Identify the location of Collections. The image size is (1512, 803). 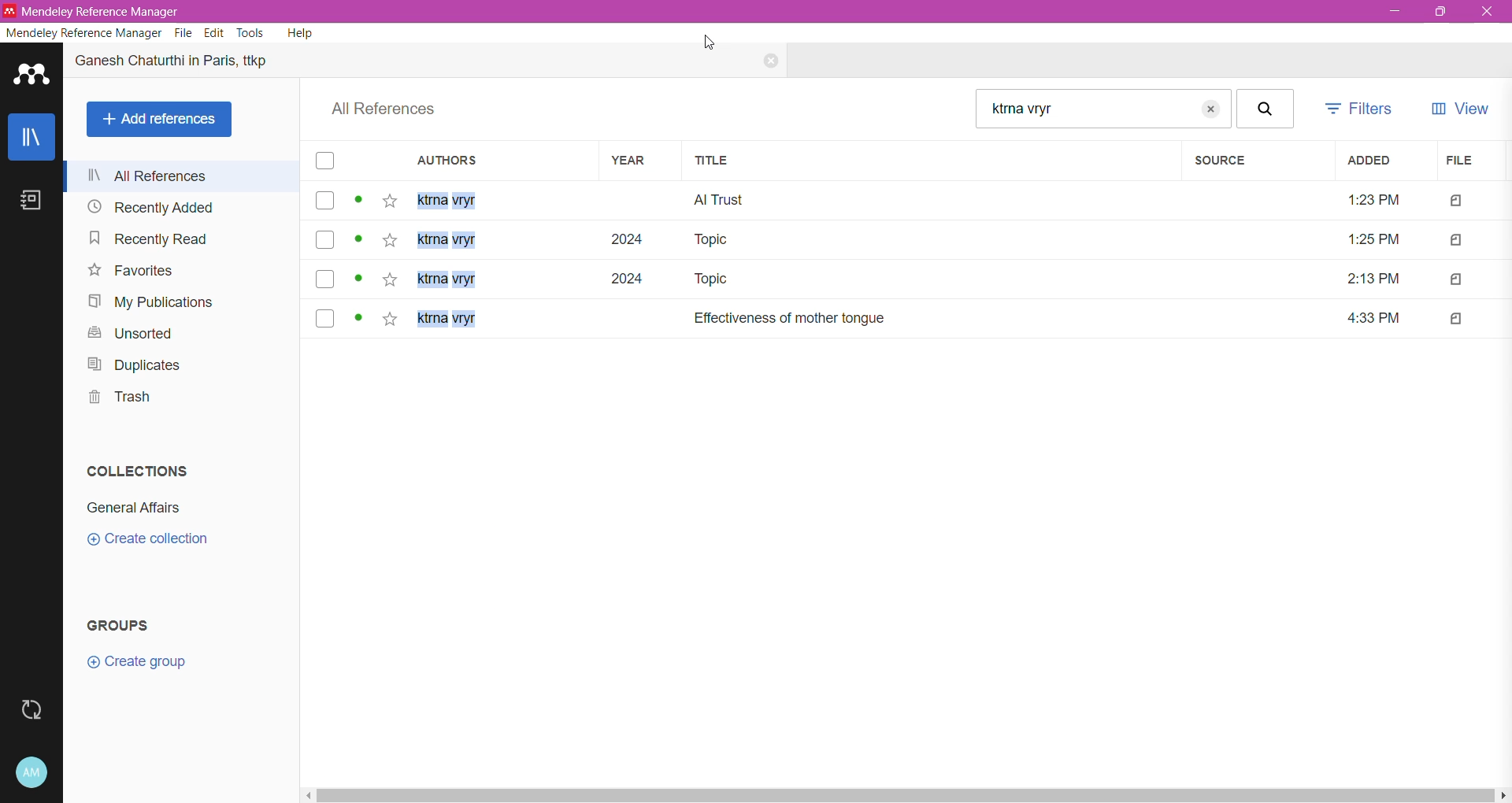
(139, 470).